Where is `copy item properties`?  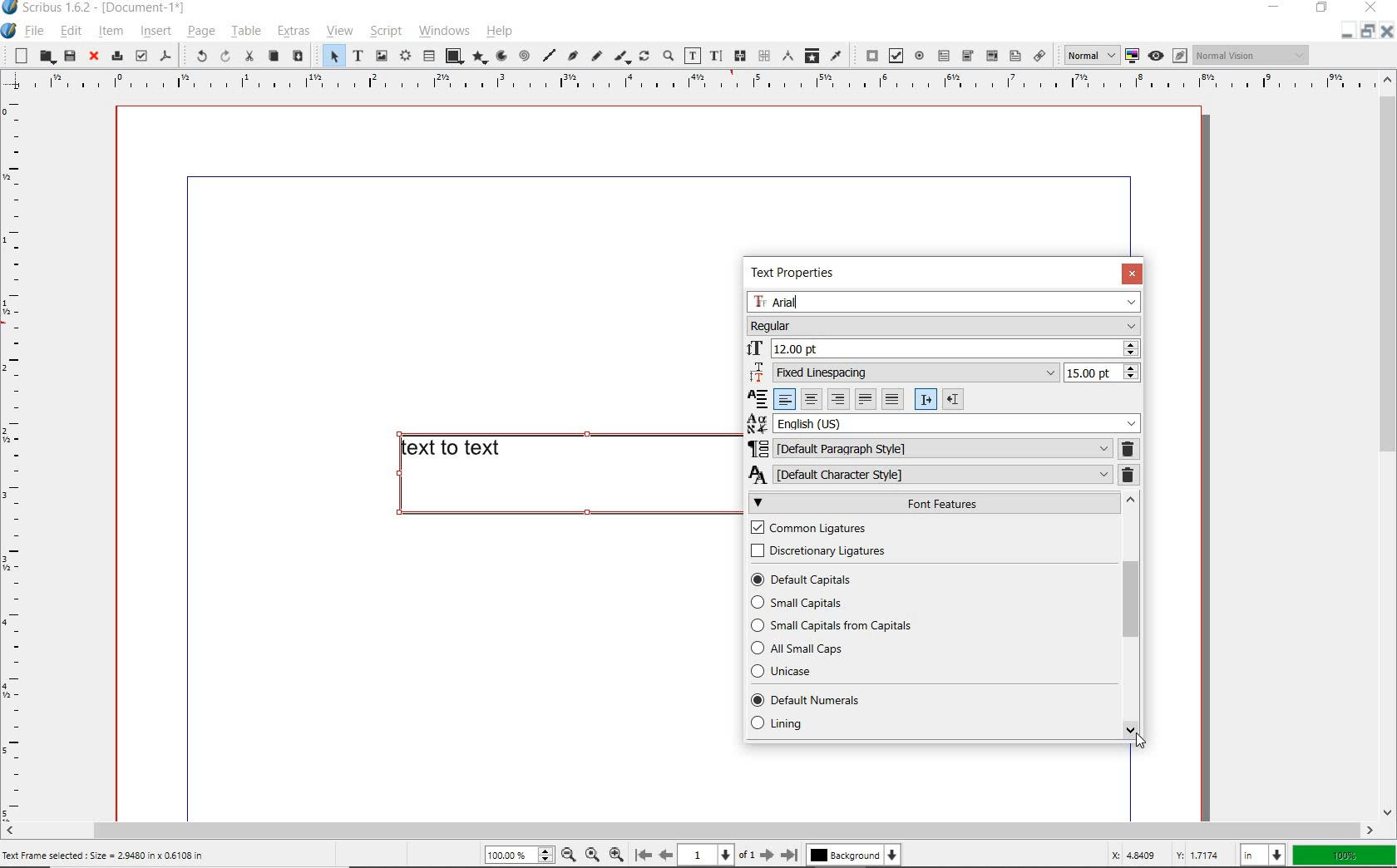 copy item properties is located at coordinates (812, 55).